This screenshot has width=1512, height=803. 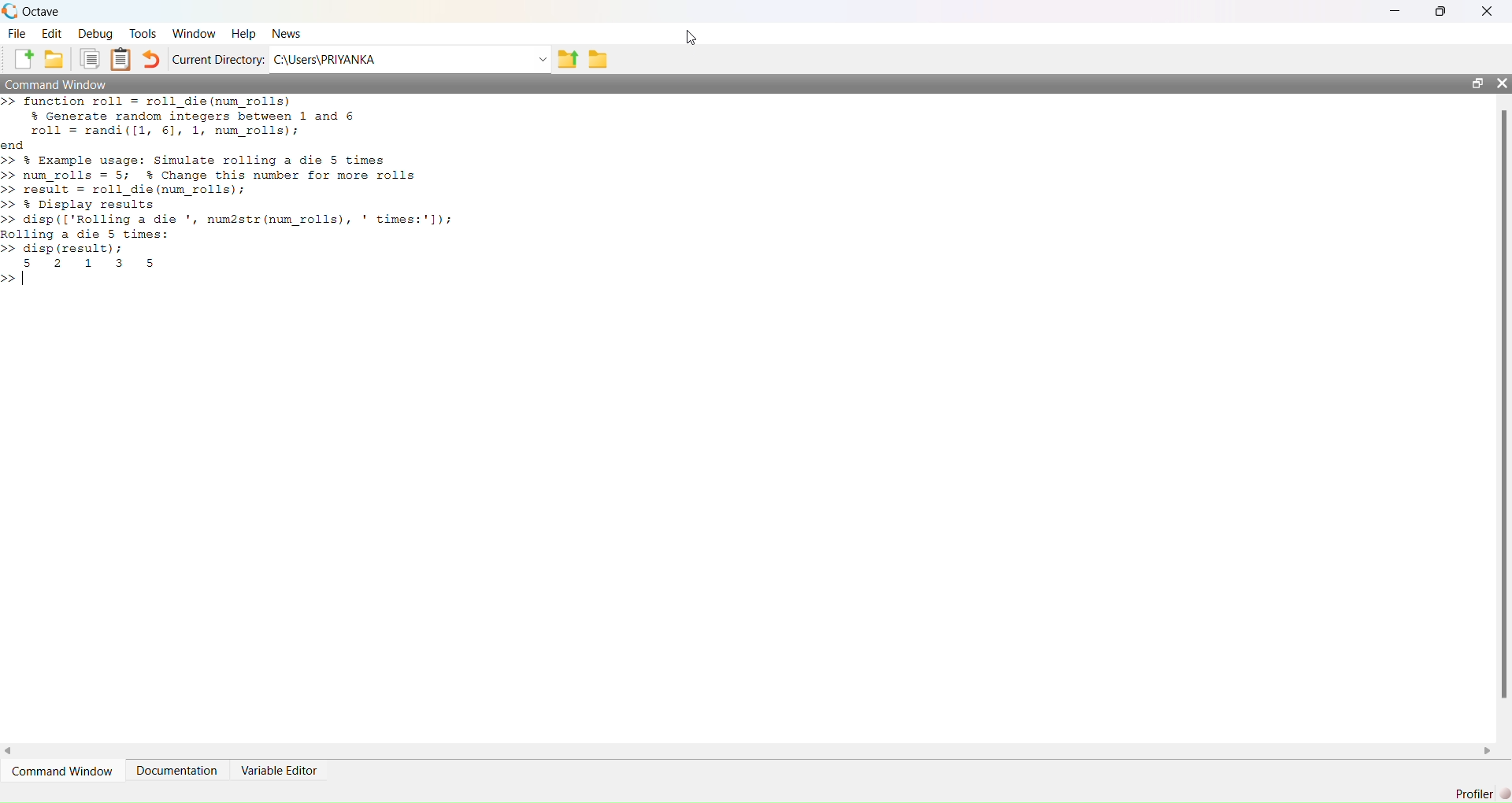 What do you see at coordinates (150, 60) in the screenshot?
I see `undo` at bounding box center [150, 60].